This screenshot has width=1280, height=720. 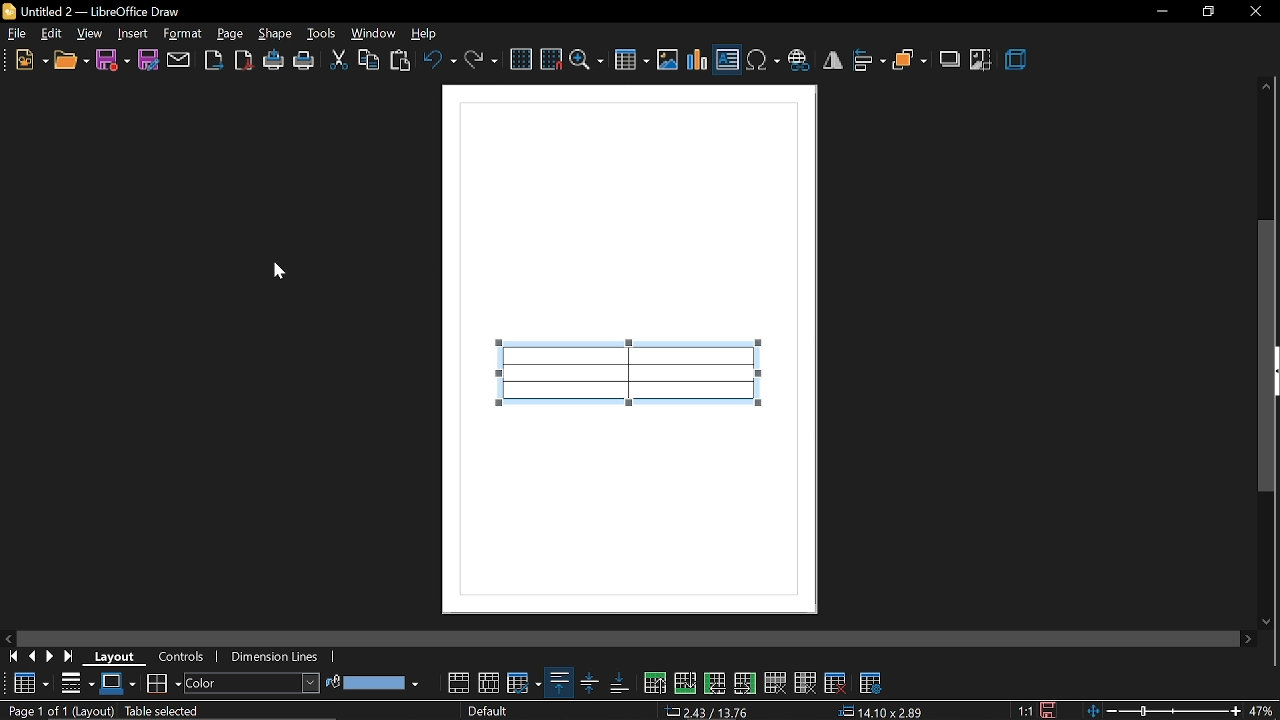 I want to click on area style, so click(x=251, y=683).